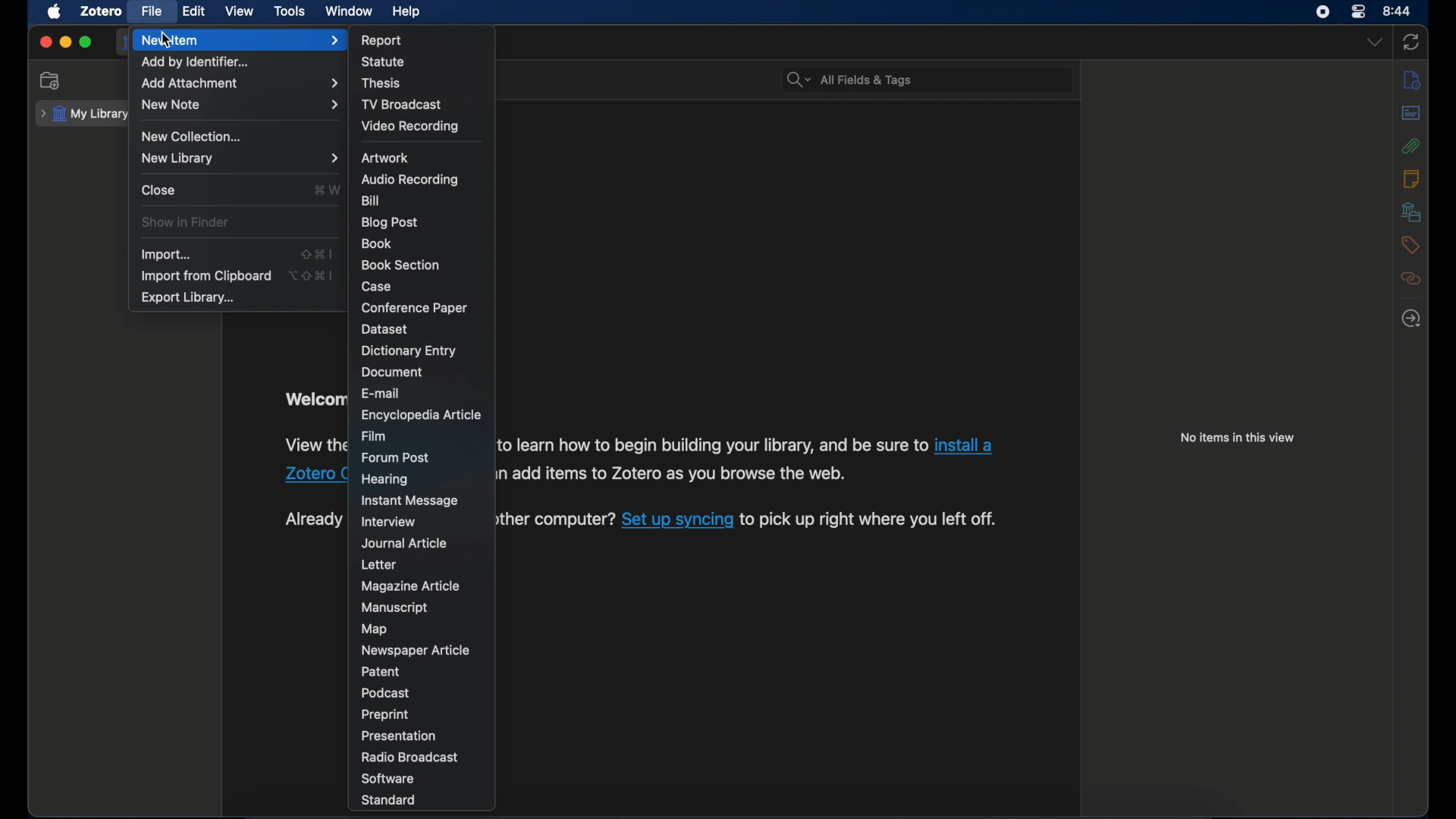 Image resolution: width=1456 pixels, height=819 pixels. What do you see at coordinates (168, 42) in the screenshot?
I see `cursor on New Item` at bounding box center [168, 42].